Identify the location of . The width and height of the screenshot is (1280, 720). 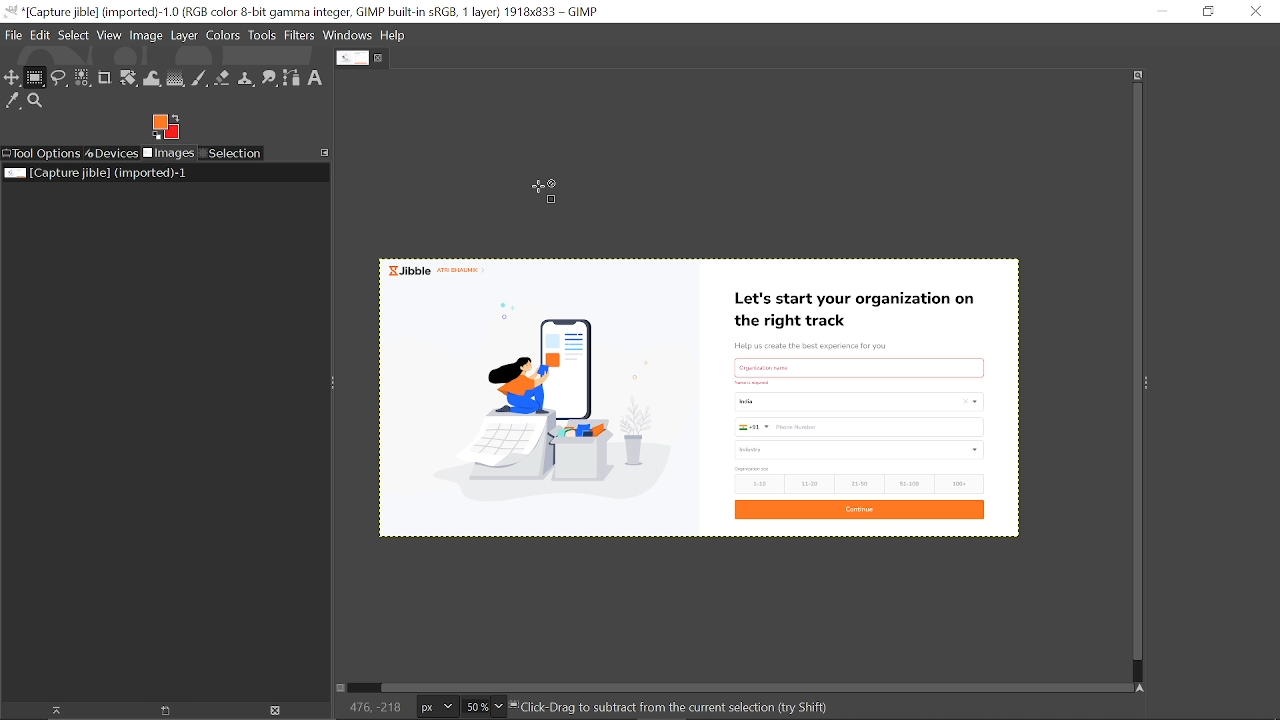
(752, 382).